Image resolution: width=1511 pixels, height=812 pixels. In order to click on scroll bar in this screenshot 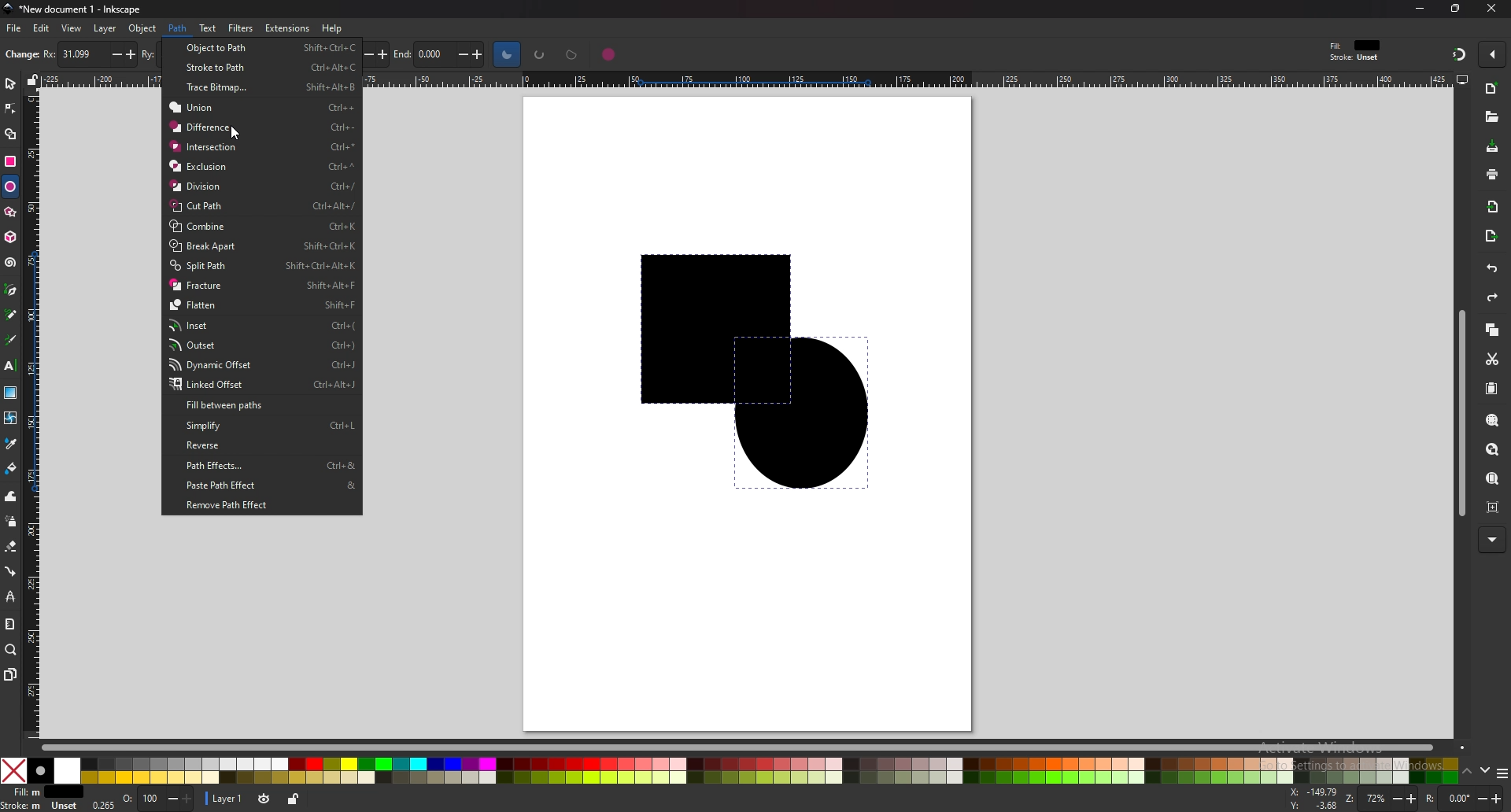, I will do `click(743, 746)`.